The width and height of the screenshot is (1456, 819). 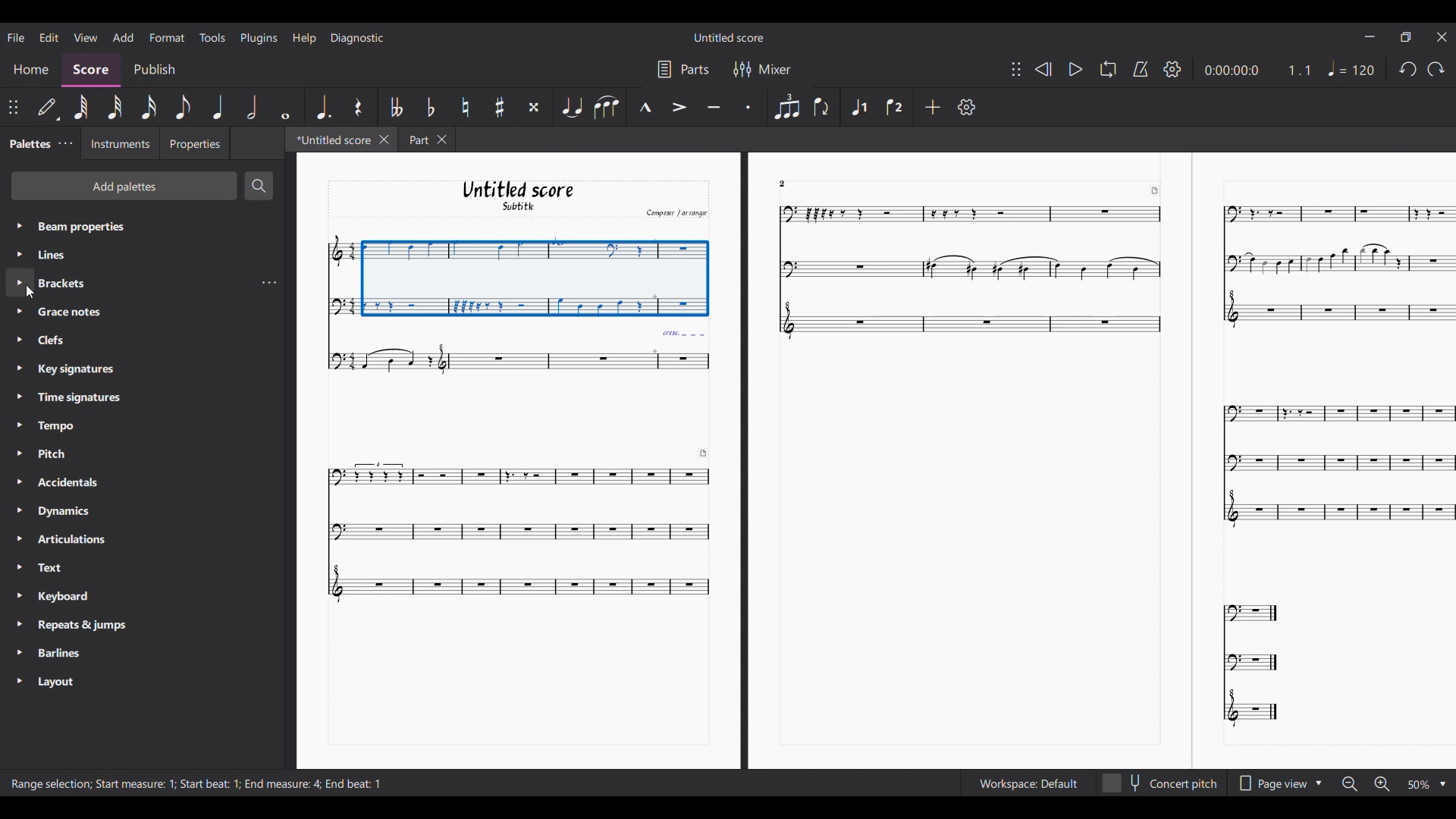 I want to click on Tempo, so click(x=67, y=424).